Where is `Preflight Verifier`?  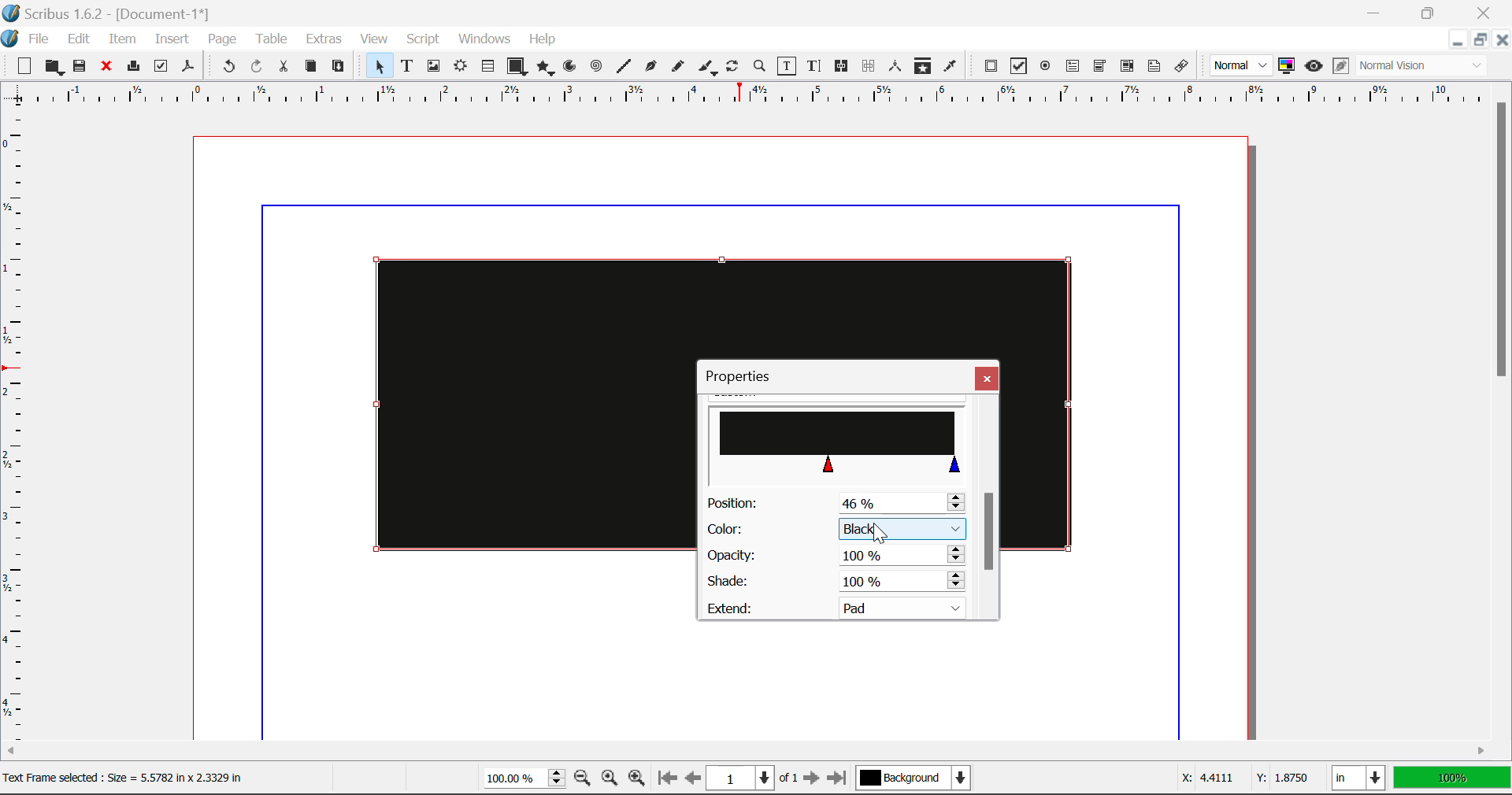 Preflight Verifier is located at coordinates (161, 68).